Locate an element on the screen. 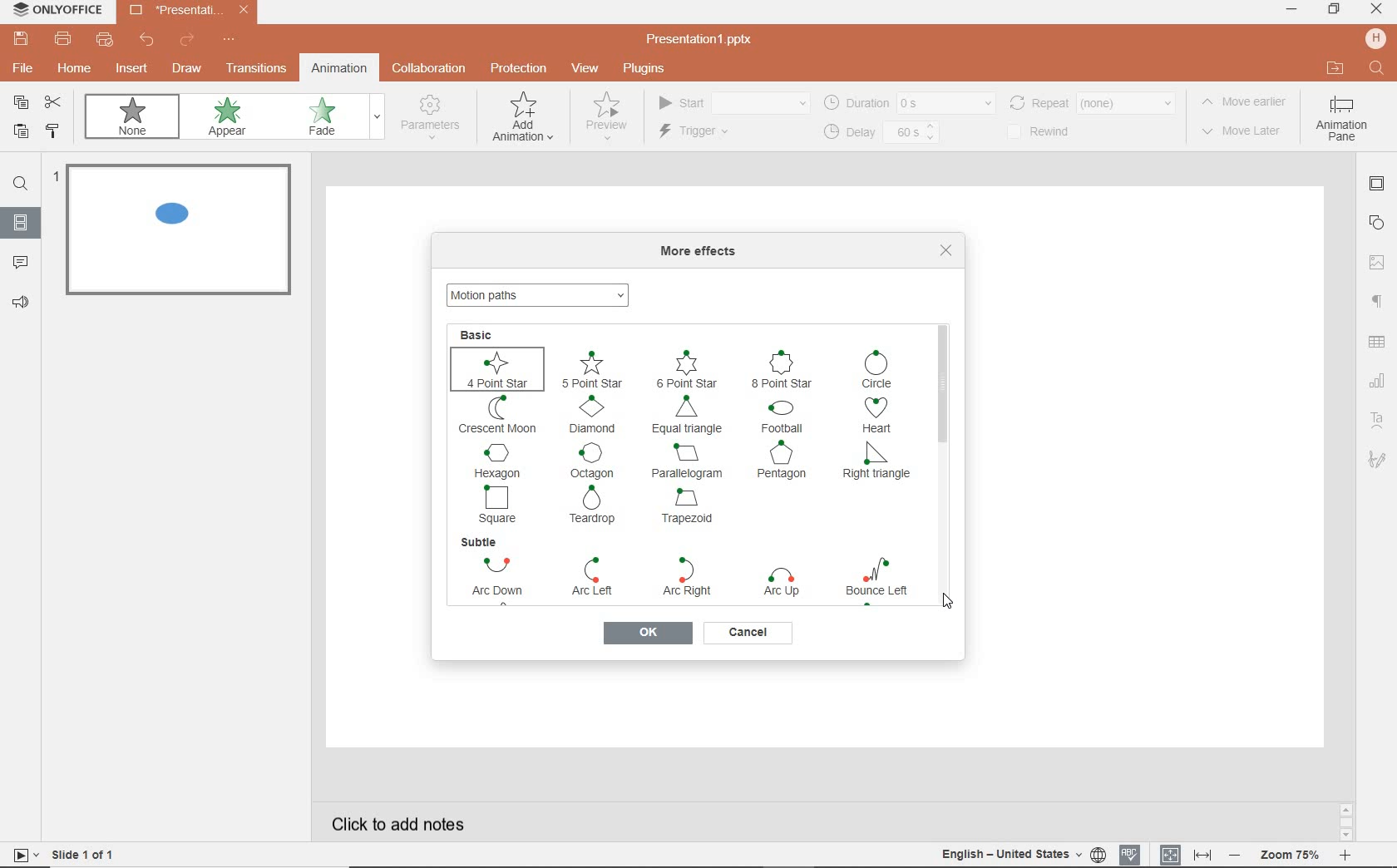 Image resolution: width=1397 pixels, height=868 pixels. PARALEGRAM is located at coordinates (688, 461).